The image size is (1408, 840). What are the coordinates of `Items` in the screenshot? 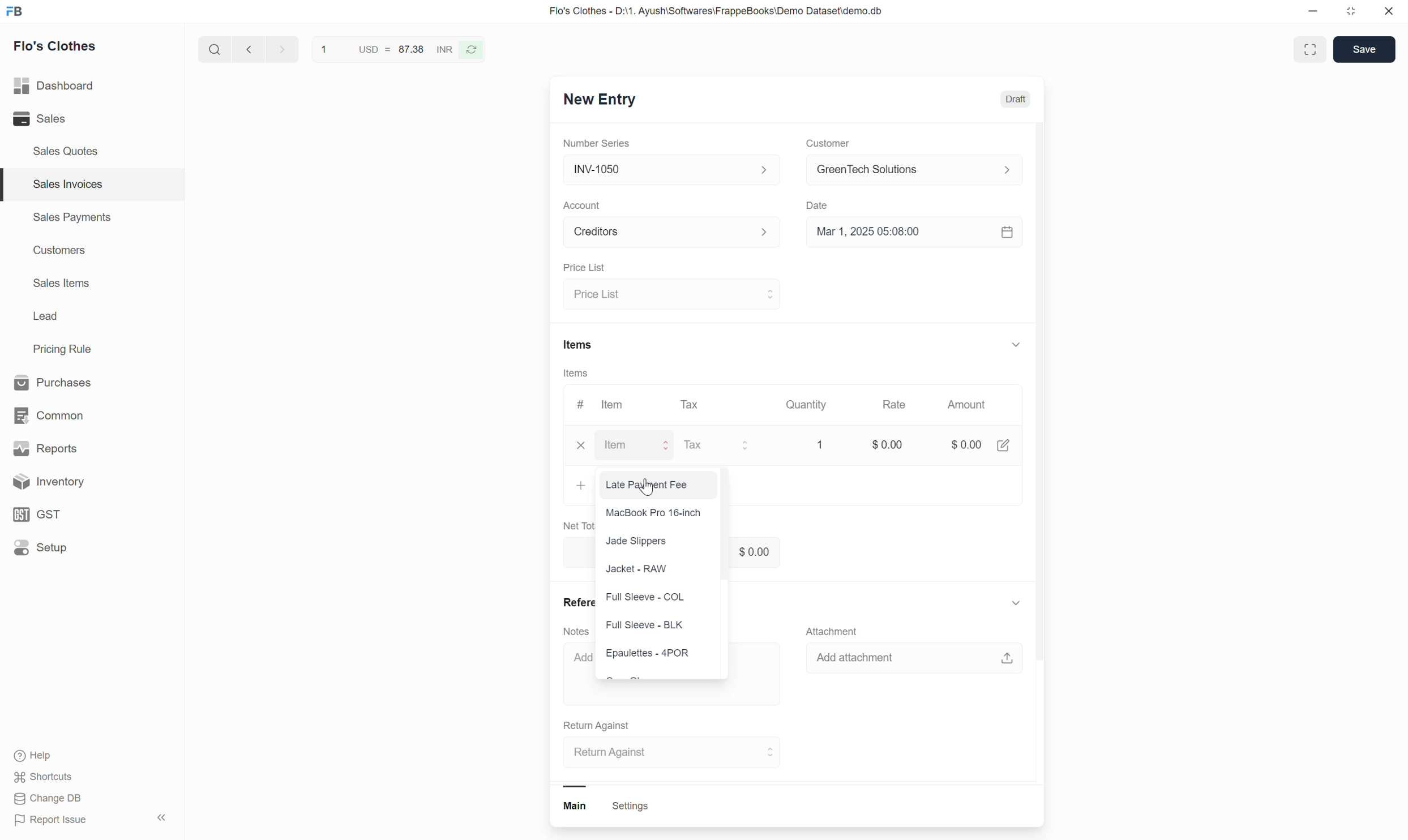 It's located at (577, 344).